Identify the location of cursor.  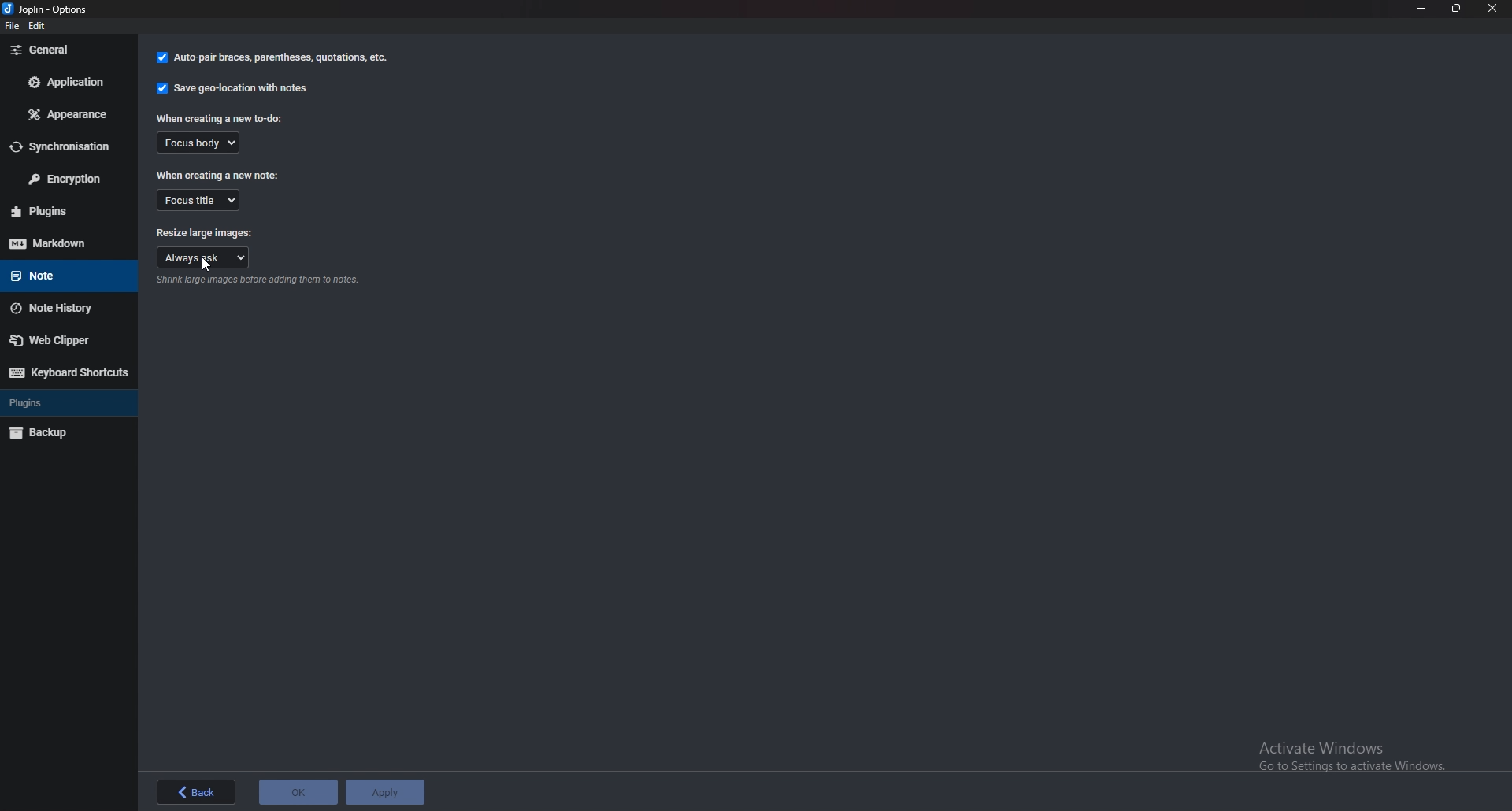
(206, 264).